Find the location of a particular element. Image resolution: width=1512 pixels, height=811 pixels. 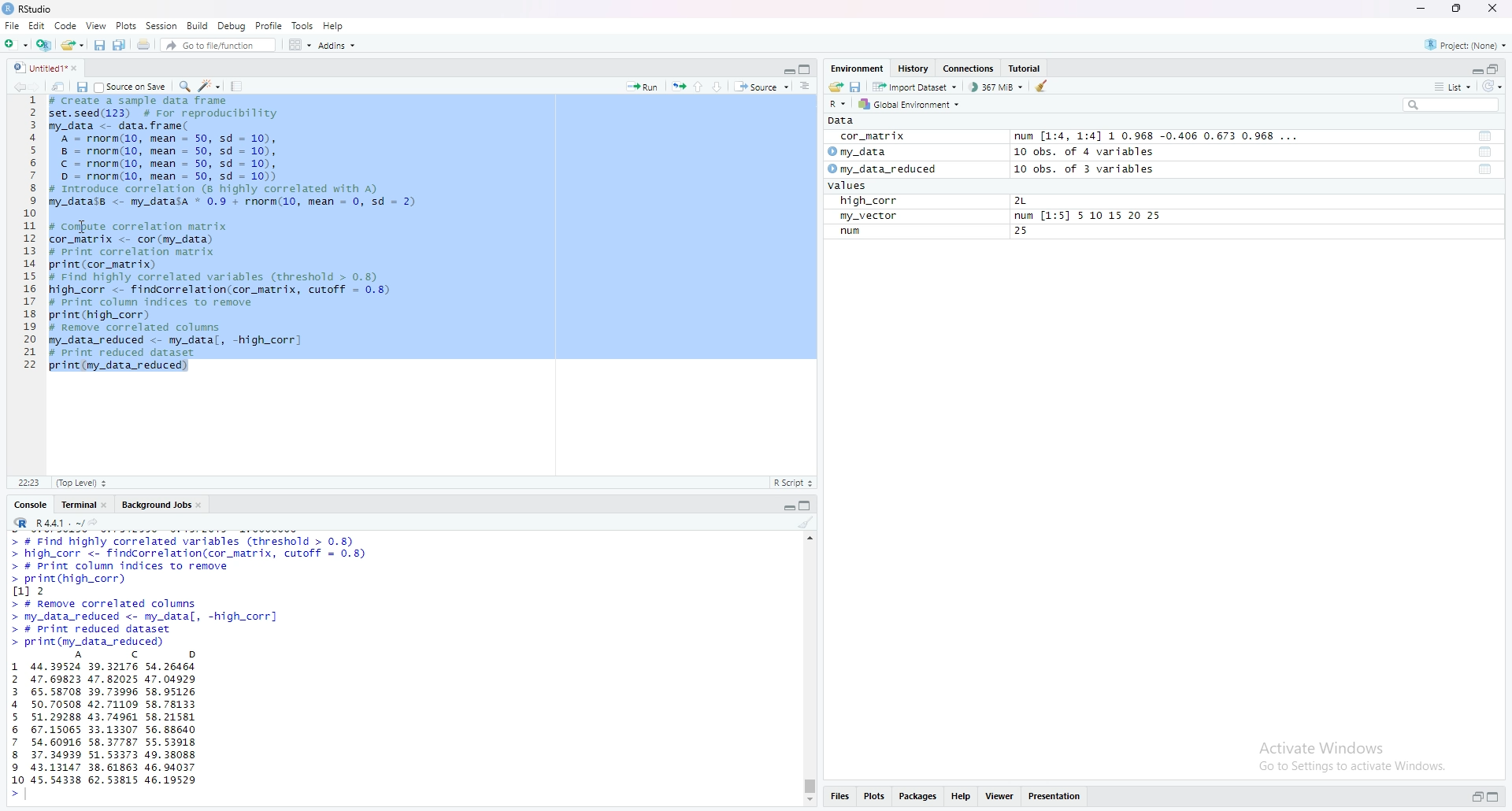

share is located at coordinates (60, 87).